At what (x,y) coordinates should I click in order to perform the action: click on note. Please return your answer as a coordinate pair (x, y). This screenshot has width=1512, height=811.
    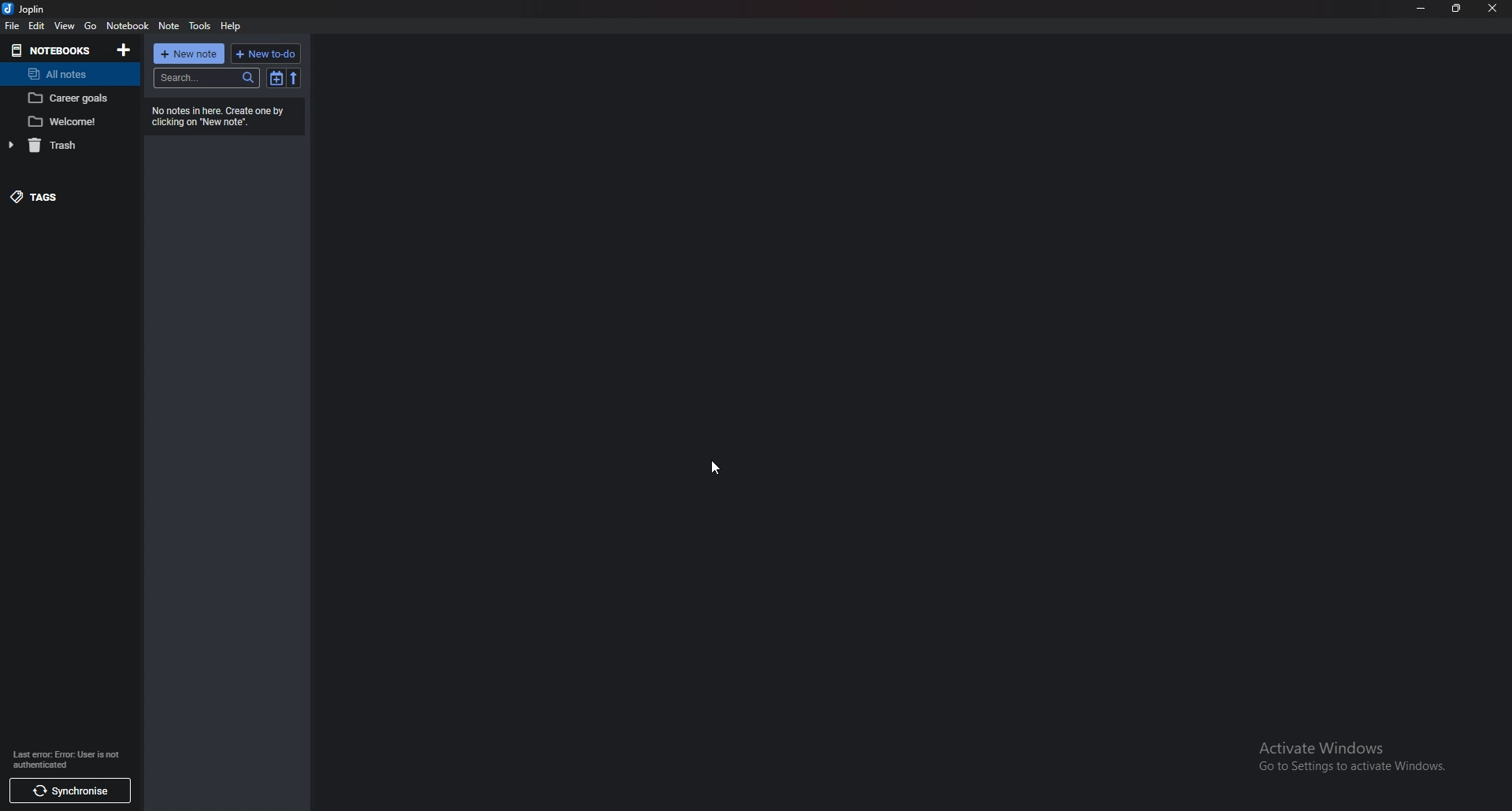
    Looking at the image, I should click on (66, 121).